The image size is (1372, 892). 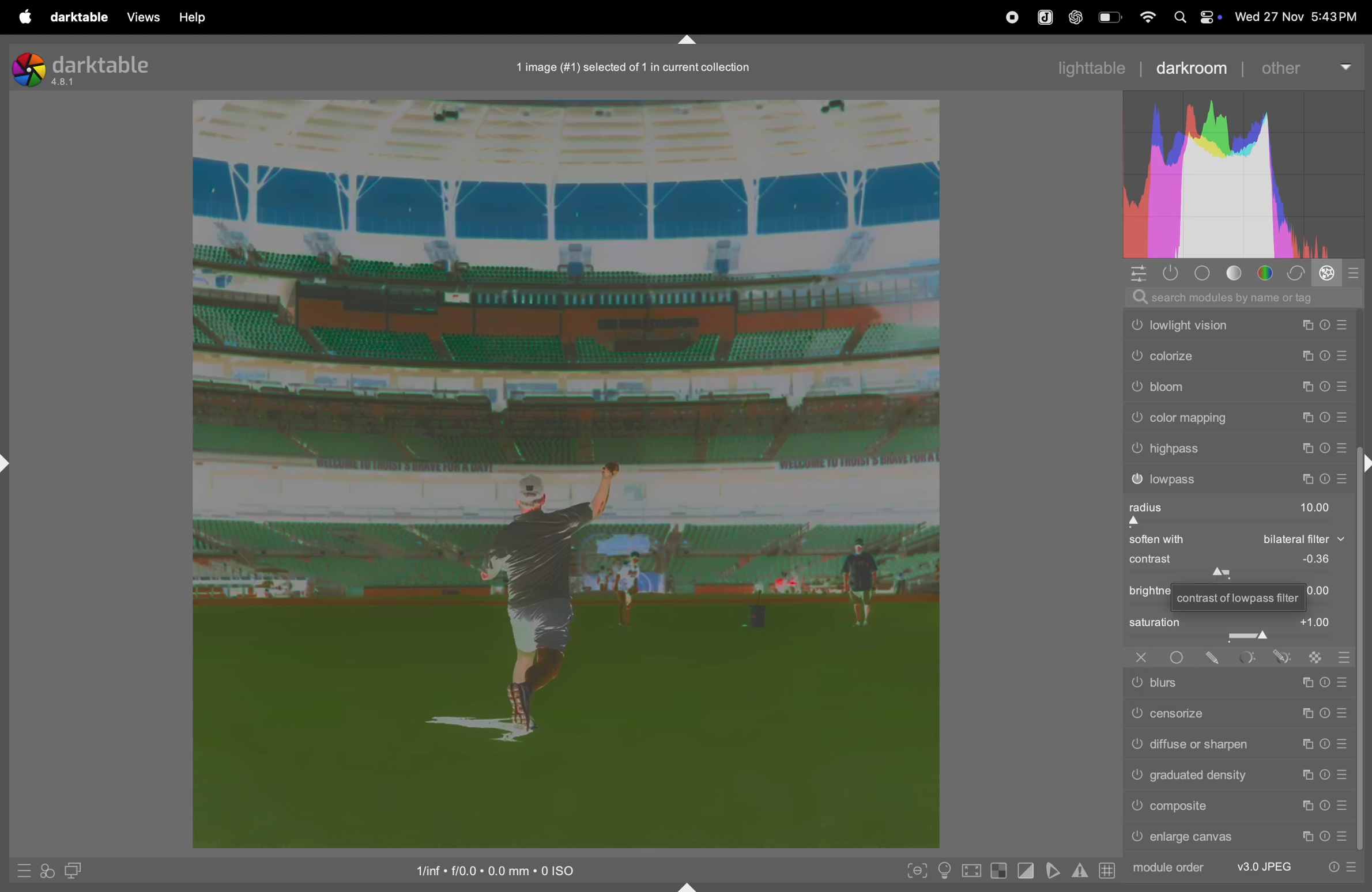 I want to click on radius, so click(x=1232, y=512).